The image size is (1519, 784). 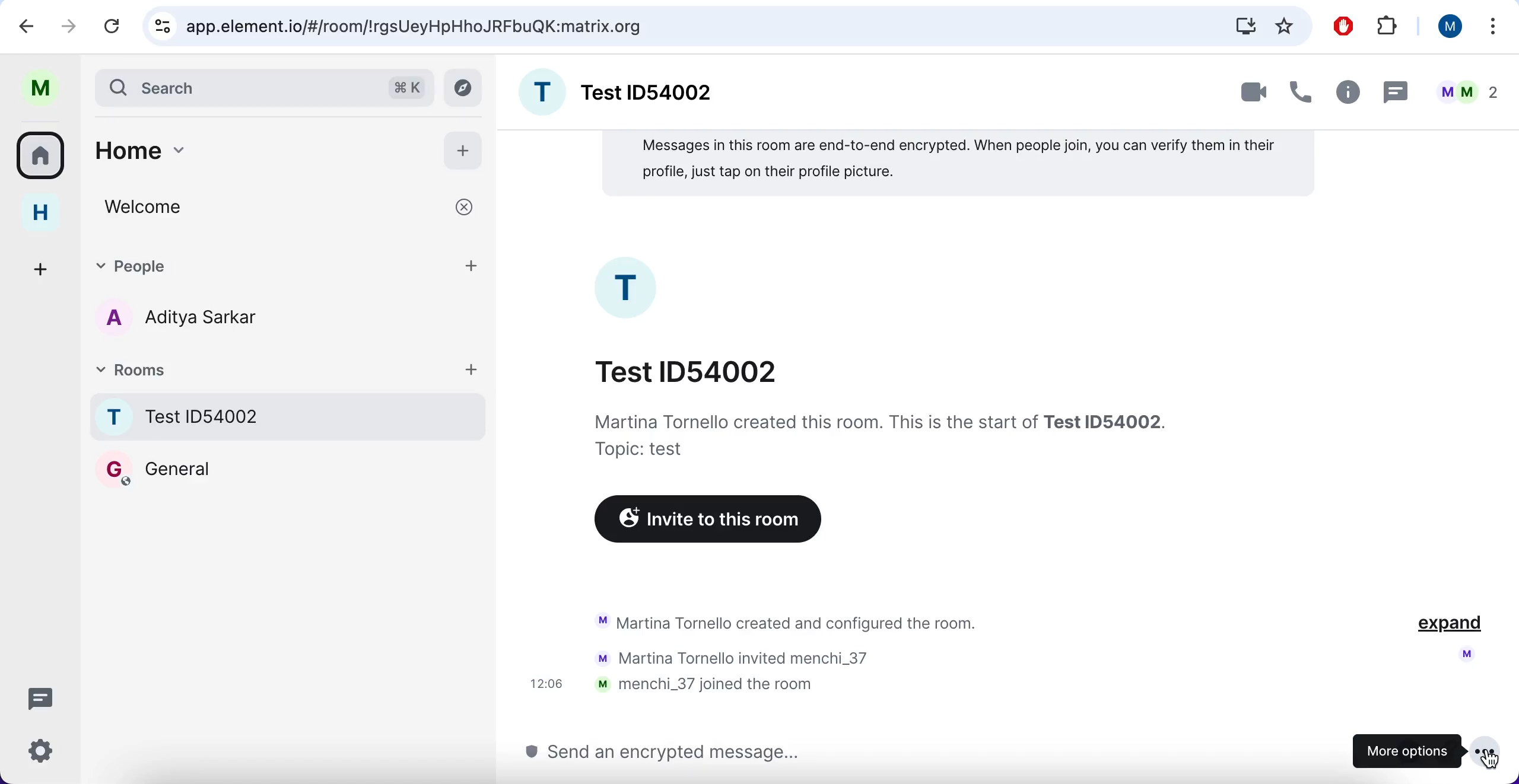 What do you see at coordinates (771, 655) in the screenshot?
I see `activity chat` at bounding box center [771, 655].